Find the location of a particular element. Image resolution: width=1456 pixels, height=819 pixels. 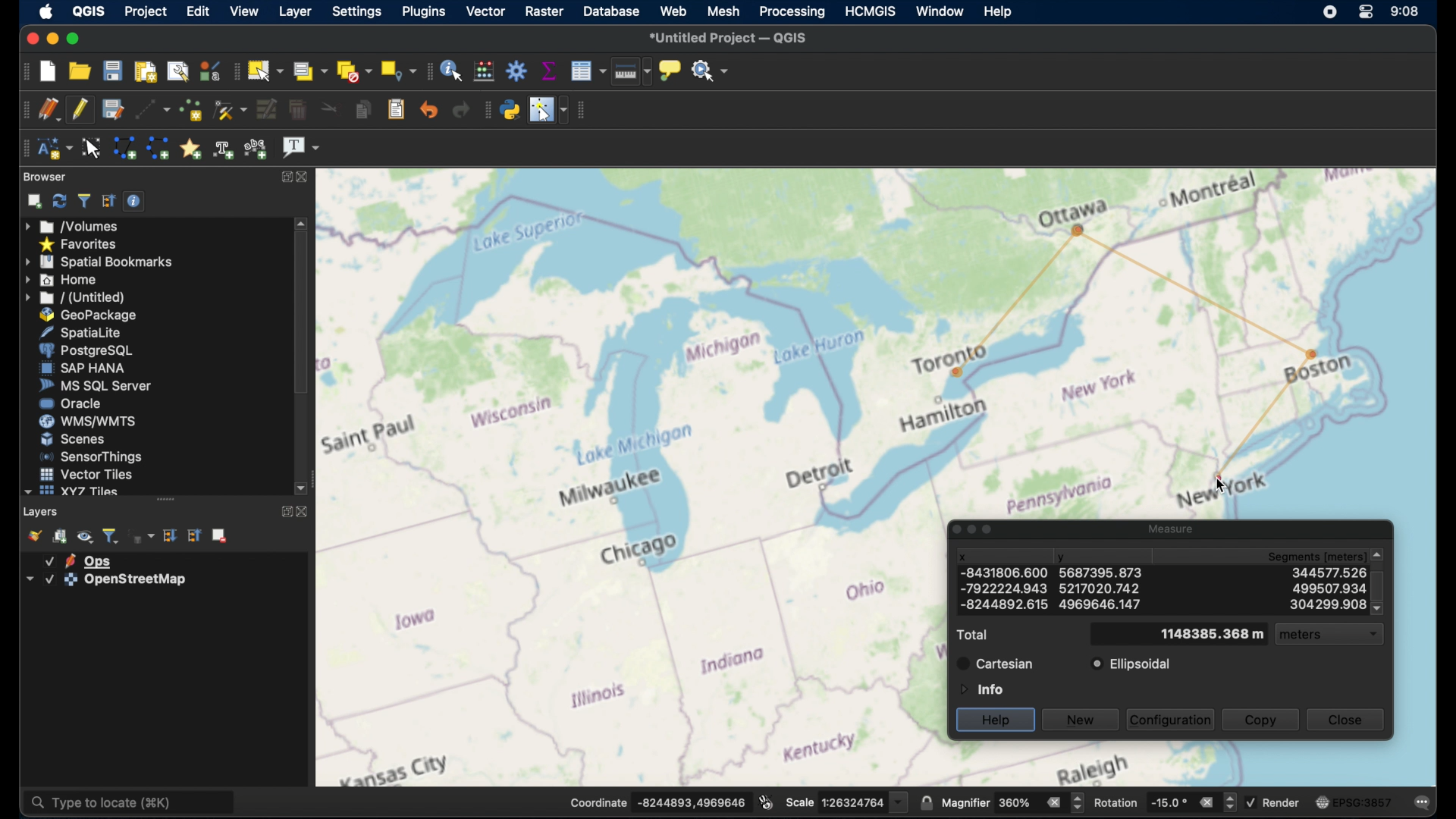

save project is located at coordinates (113, 70).